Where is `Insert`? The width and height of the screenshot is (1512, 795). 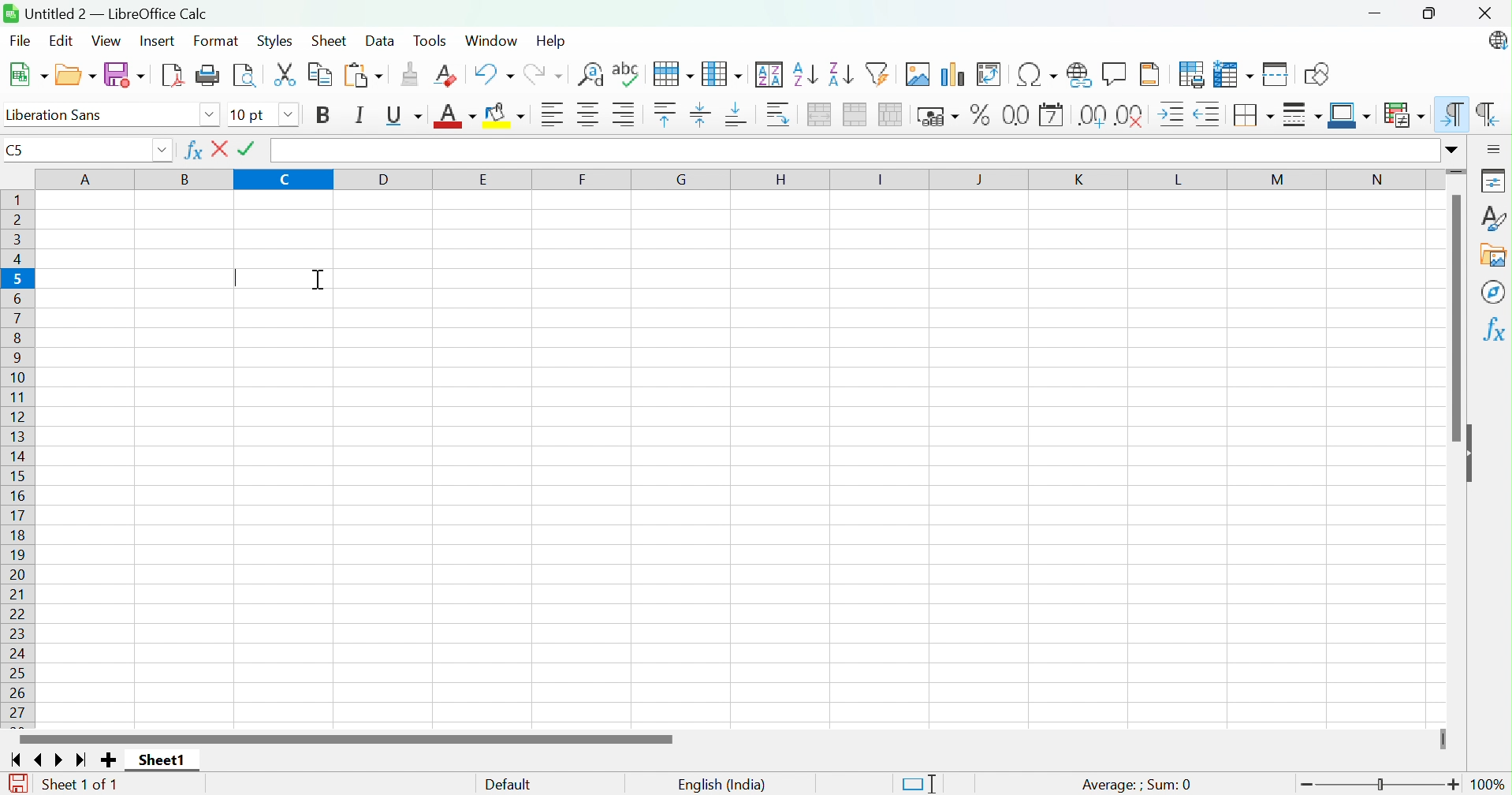 Insert is located at coordinates (157, 40).